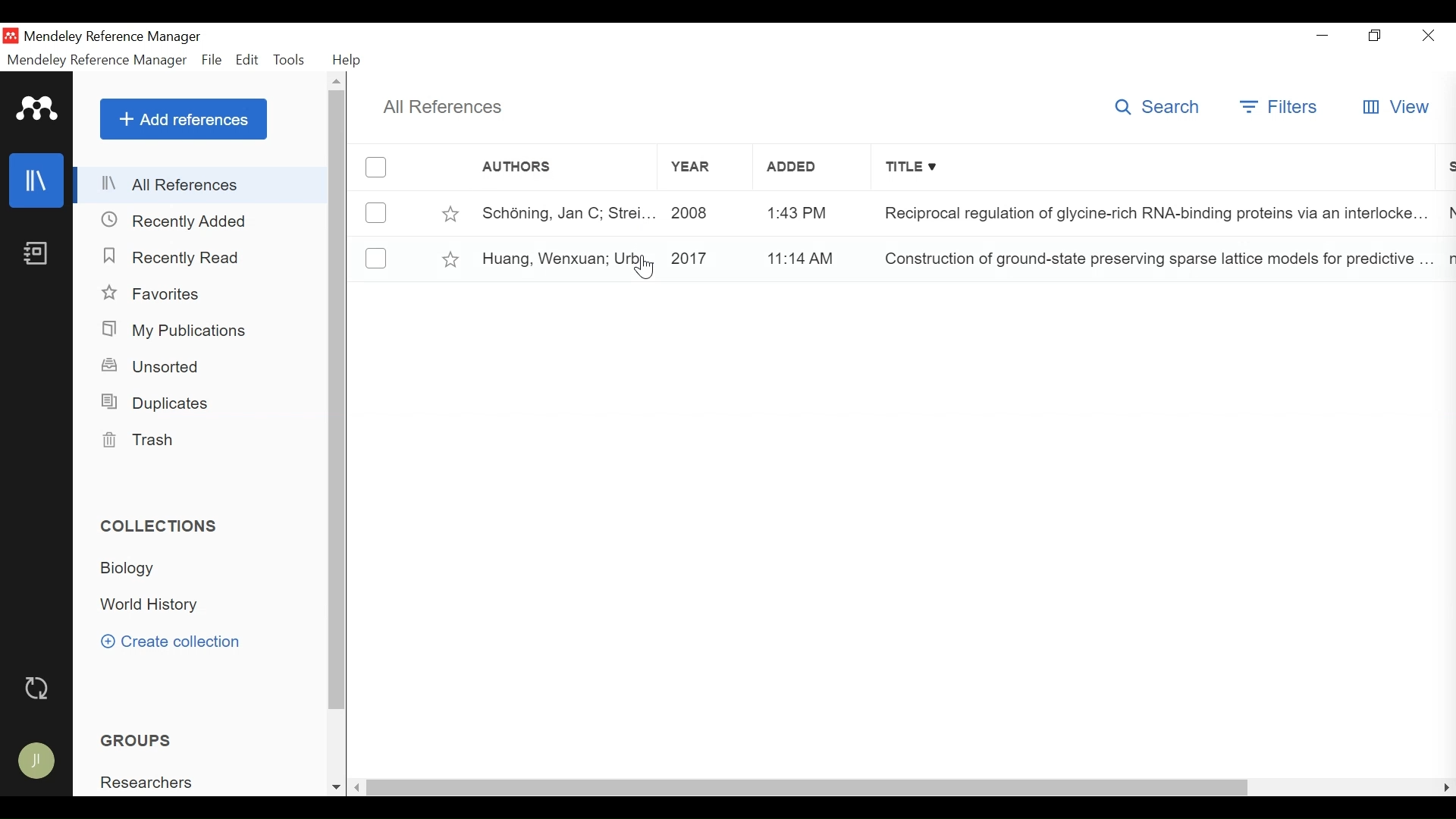  I want to click on Author, so click(566, 257).